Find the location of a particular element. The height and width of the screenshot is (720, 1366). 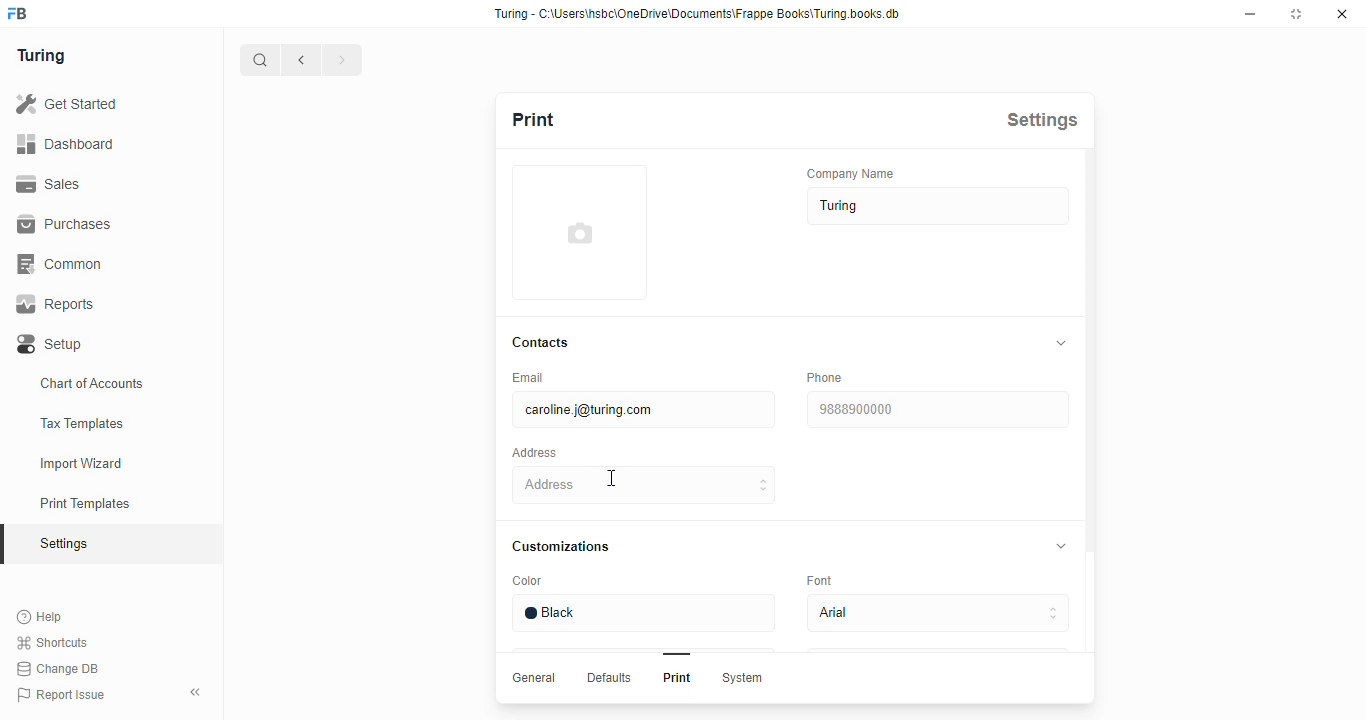

help is located at coordinates (41, 617).